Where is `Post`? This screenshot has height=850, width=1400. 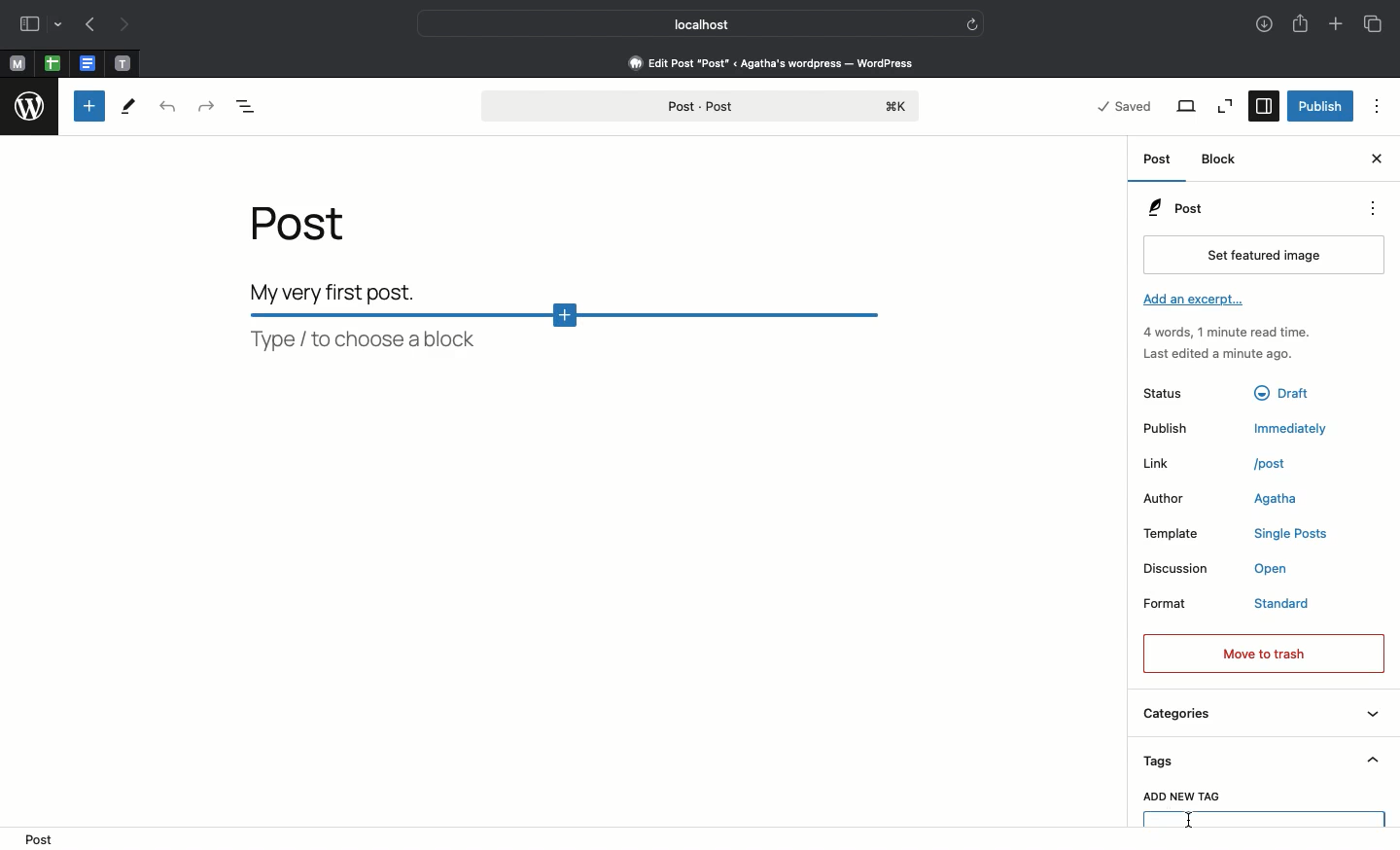
Post is located at coordinates (311, 230).